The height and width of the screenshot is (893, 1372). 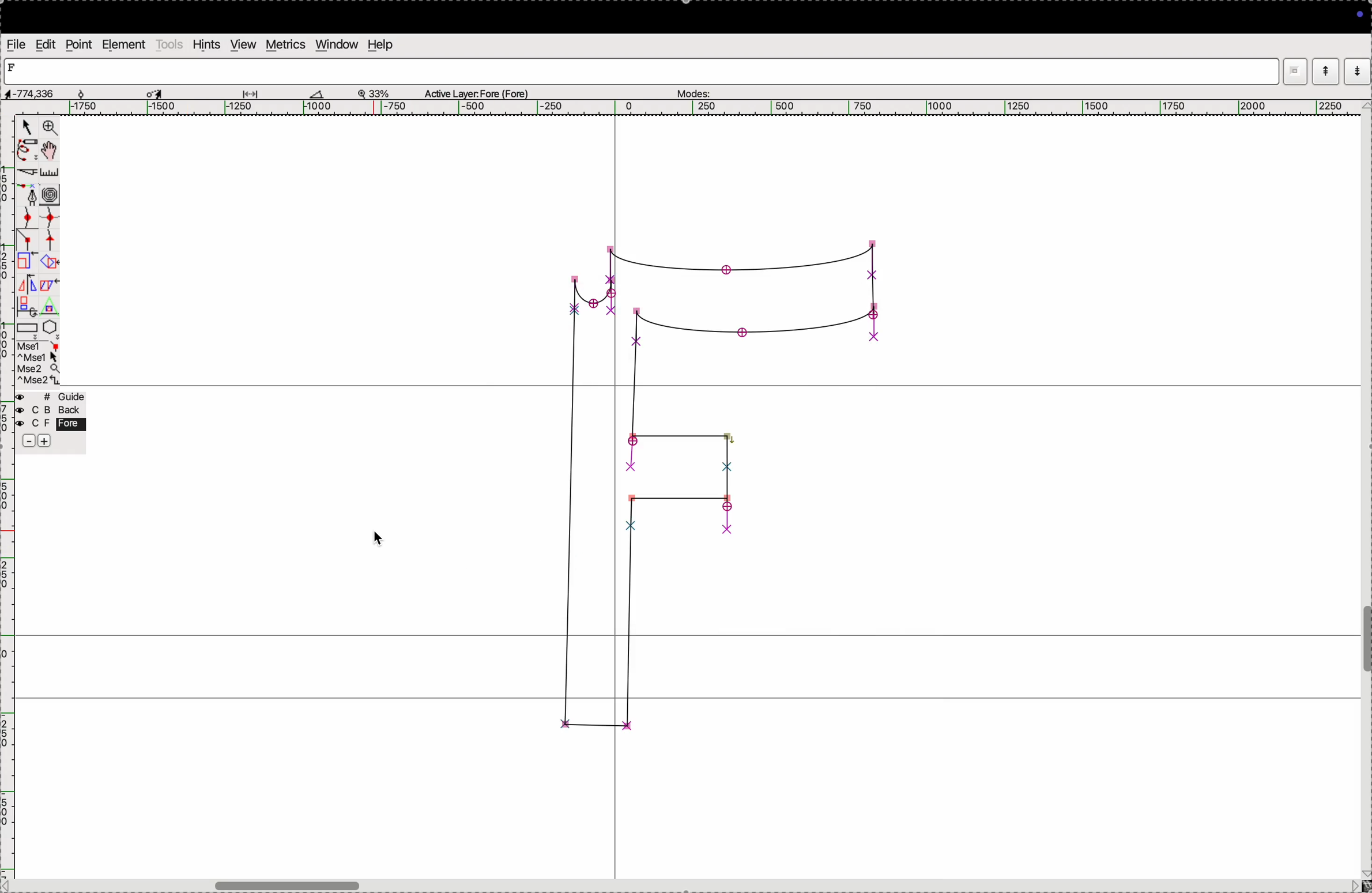 What do you see at coordinates (169, 44) in the screenshot?
I see `tools` at bounding box center [169, 44].